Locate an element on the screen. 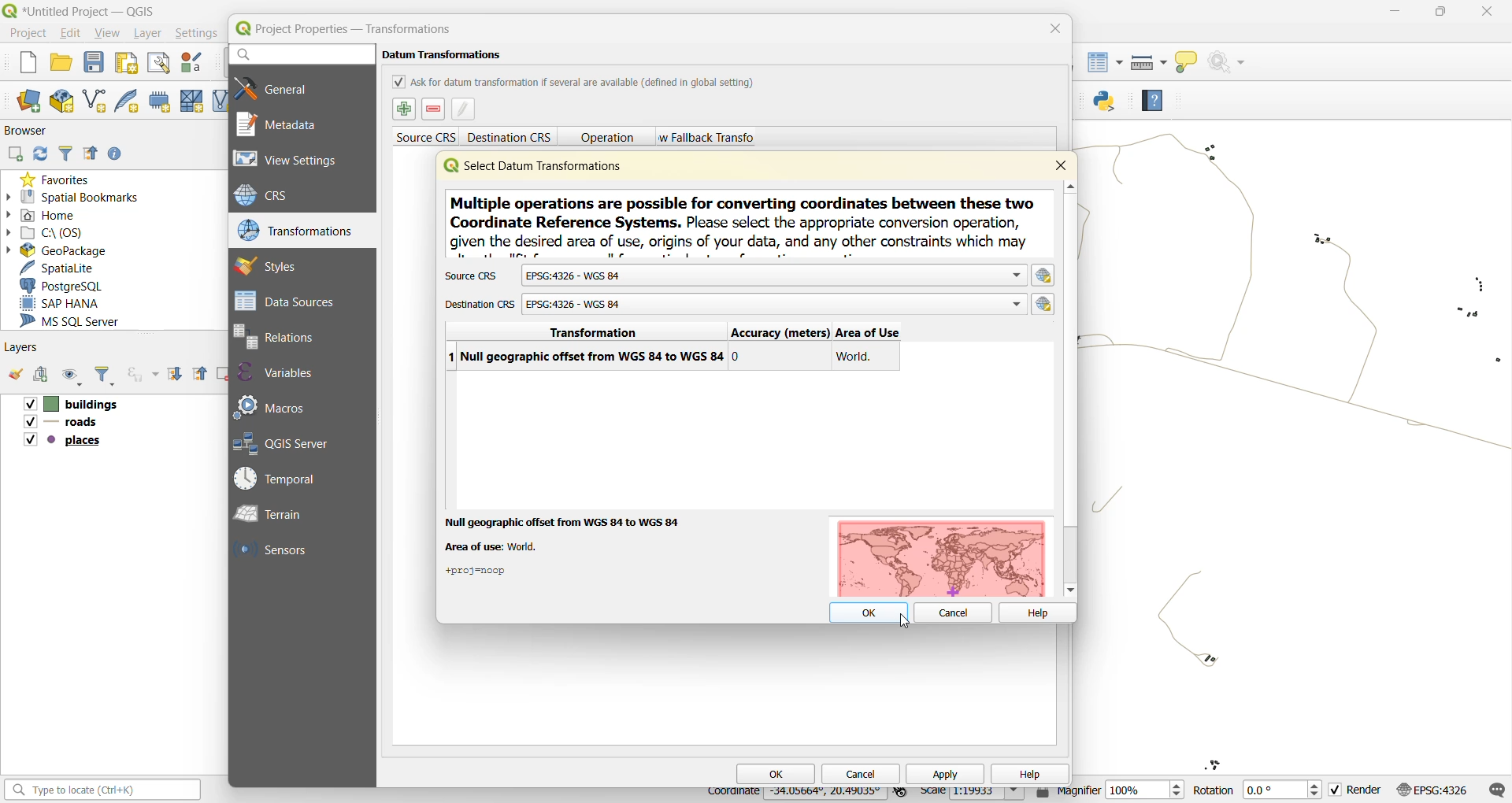 The width and height of the screenshot is (1512, 803). accuracy (meters) is located at coordinates (780, 333).